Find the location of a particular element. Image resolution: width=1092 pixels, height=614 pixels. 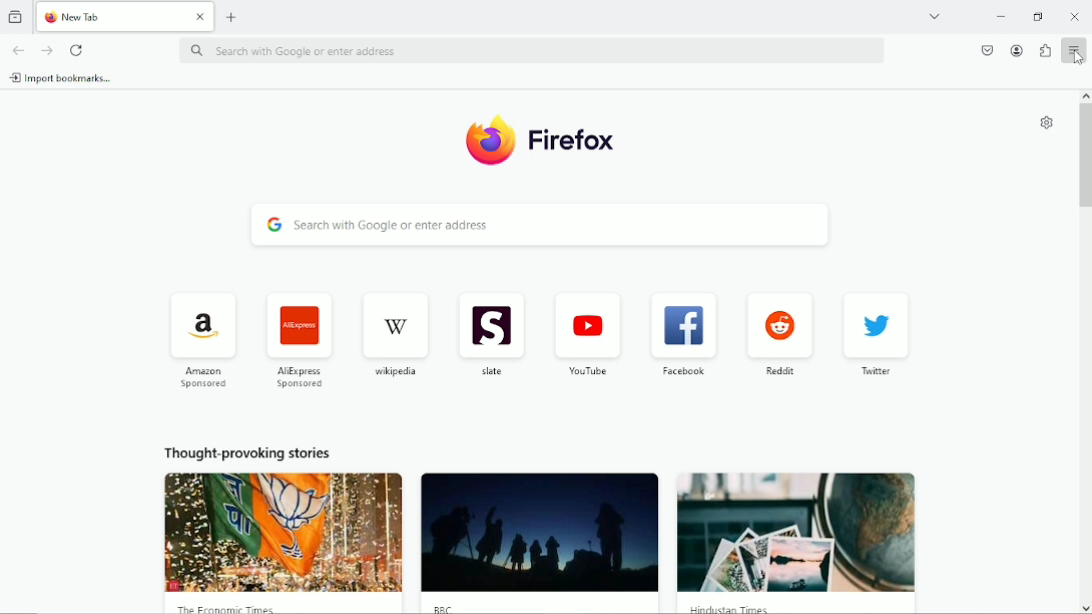

firefox is located at coordinates (578, 139).